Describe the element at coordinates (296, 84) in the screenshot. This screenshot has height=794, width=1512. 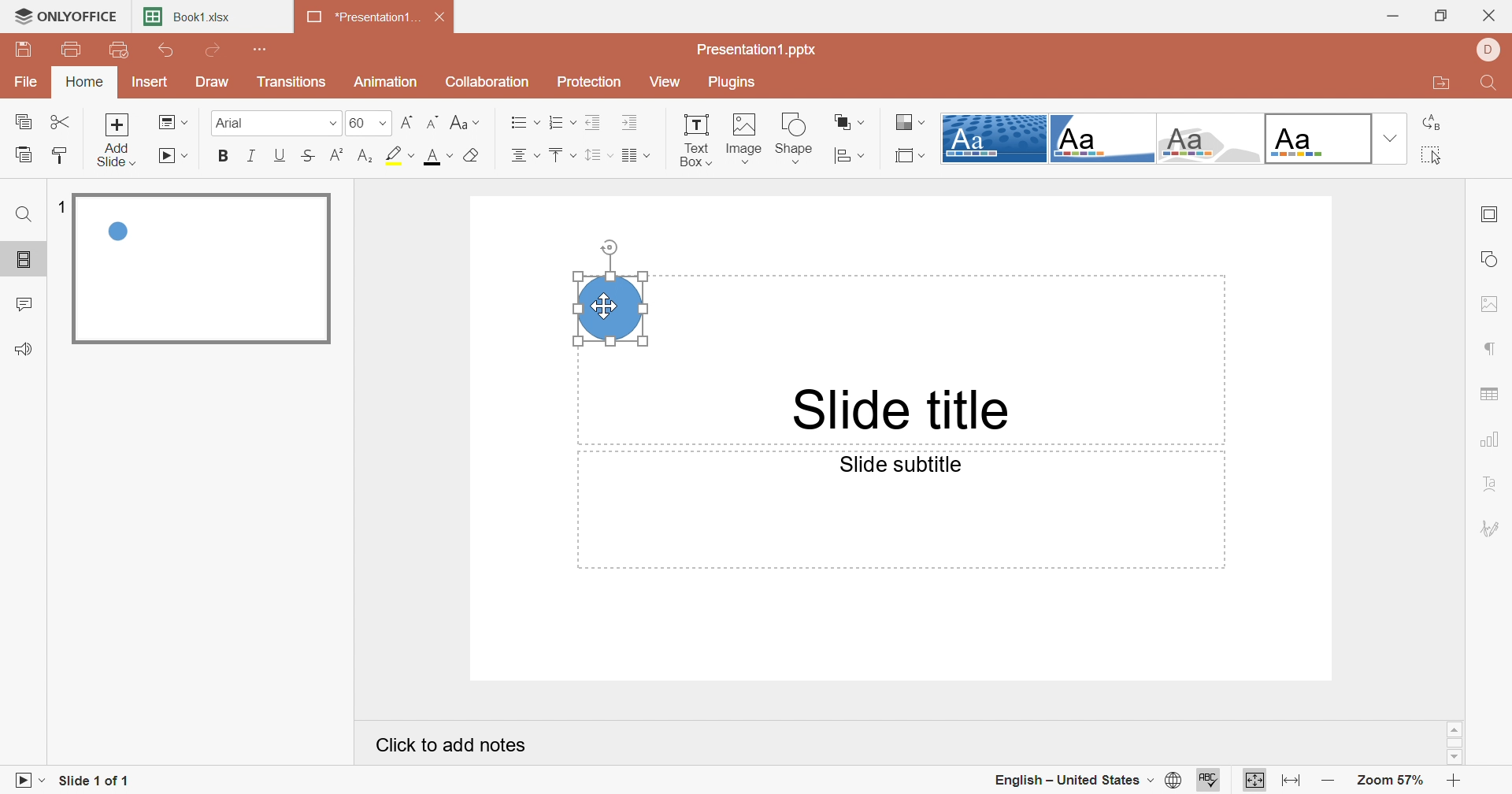
I see `Transitions` at that location.